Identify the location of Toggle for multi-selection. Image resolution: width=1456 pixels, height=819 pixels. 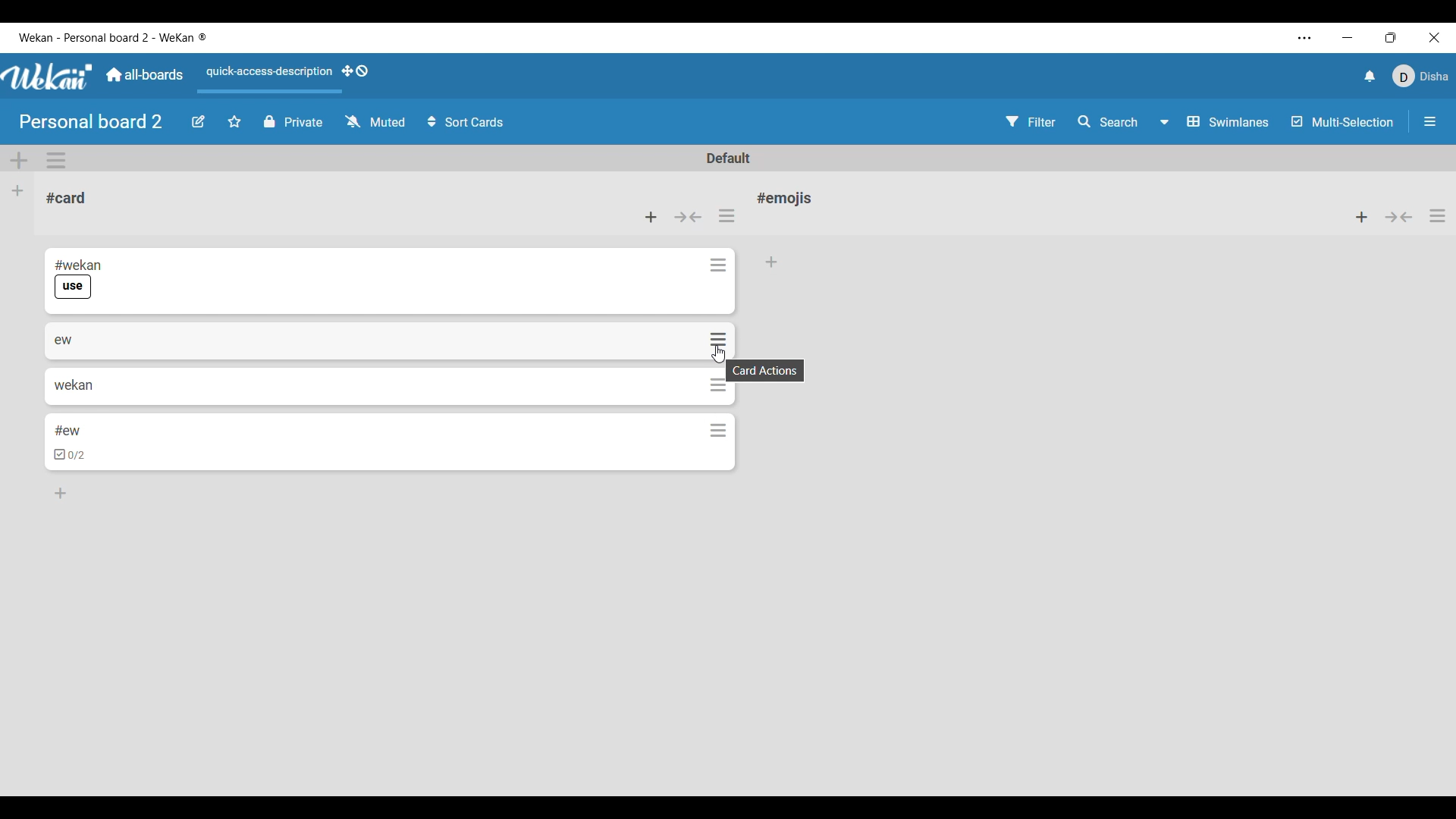
(1343, 121).